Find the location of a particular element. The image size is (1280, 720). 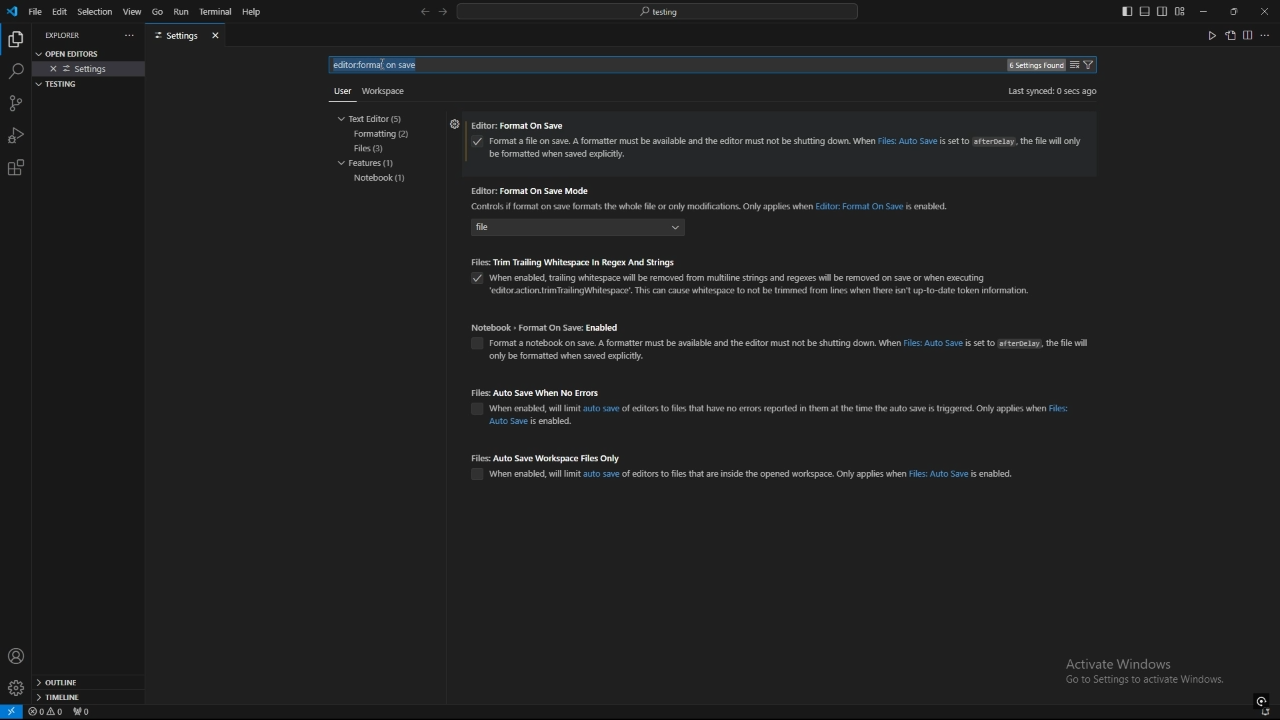

open settings is located at coordinates (1230, 35).